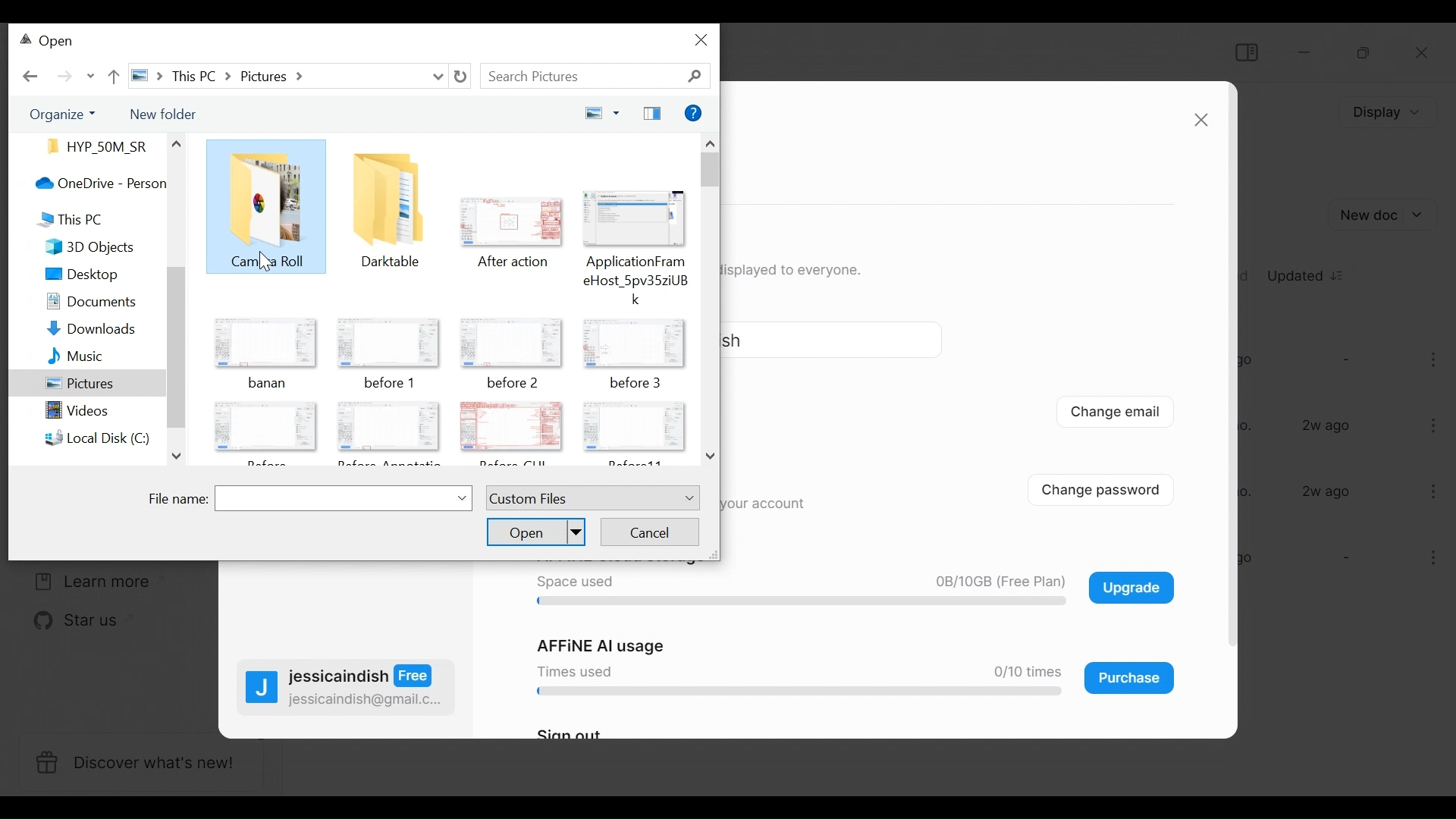 This screenshot has height=819, width=1456. Describe the element at coordinates (636, 383) in the screenshot. I see `before 3` at that location.